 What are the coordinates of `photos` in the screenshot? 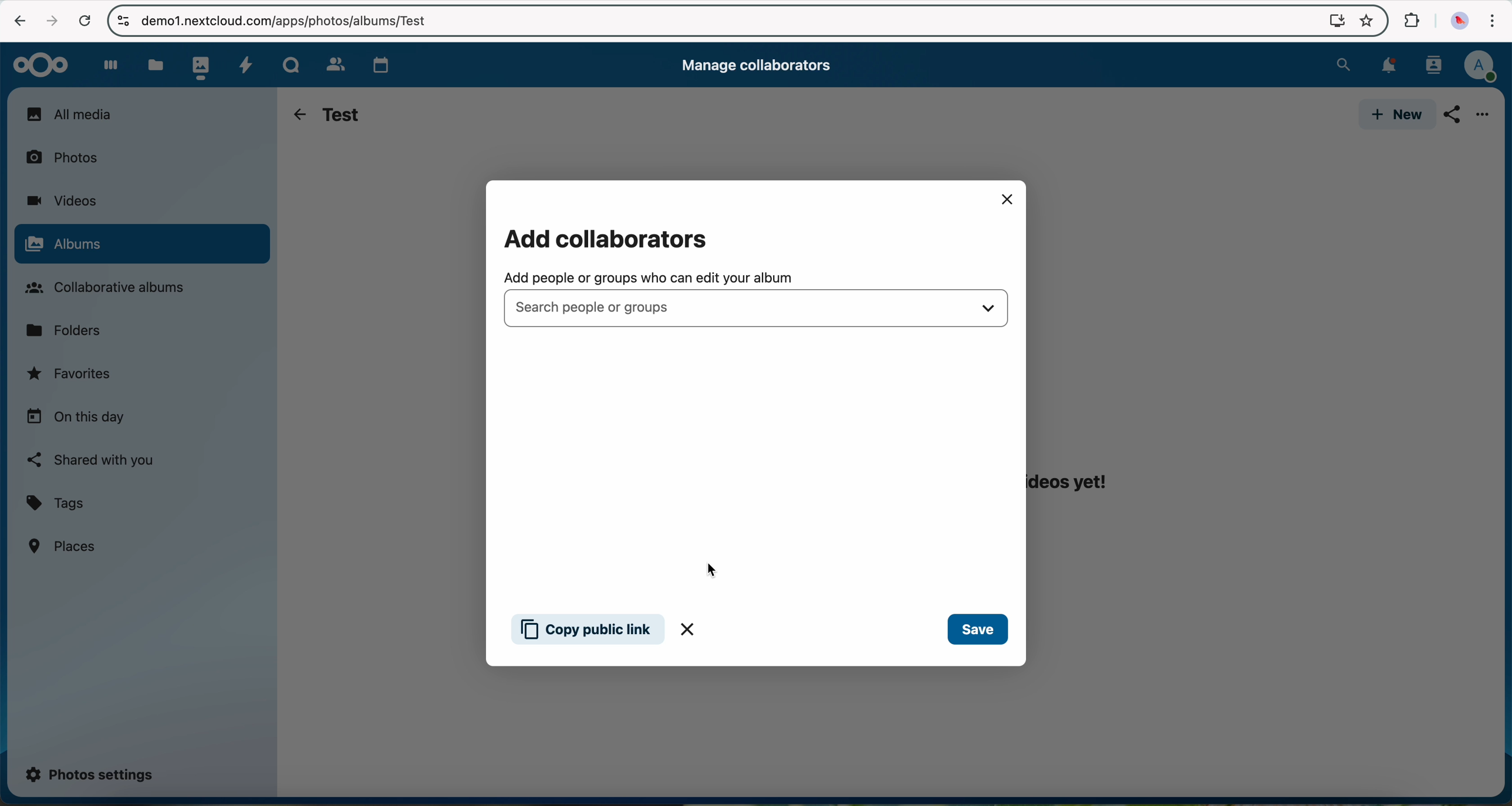 It's located at (69, 156).